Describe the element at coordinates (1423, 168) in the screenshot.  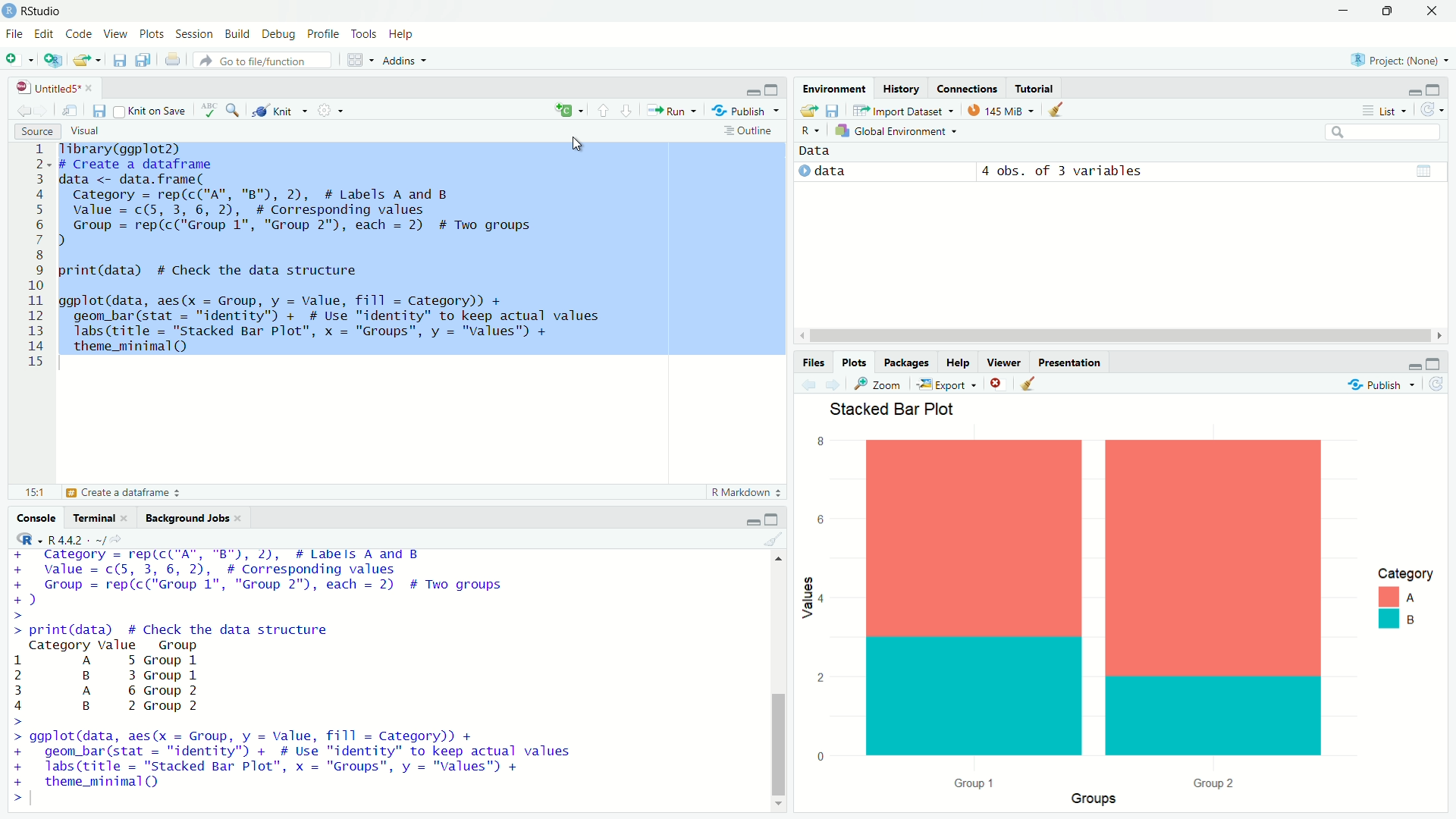
I see `Data/Table` at that location.